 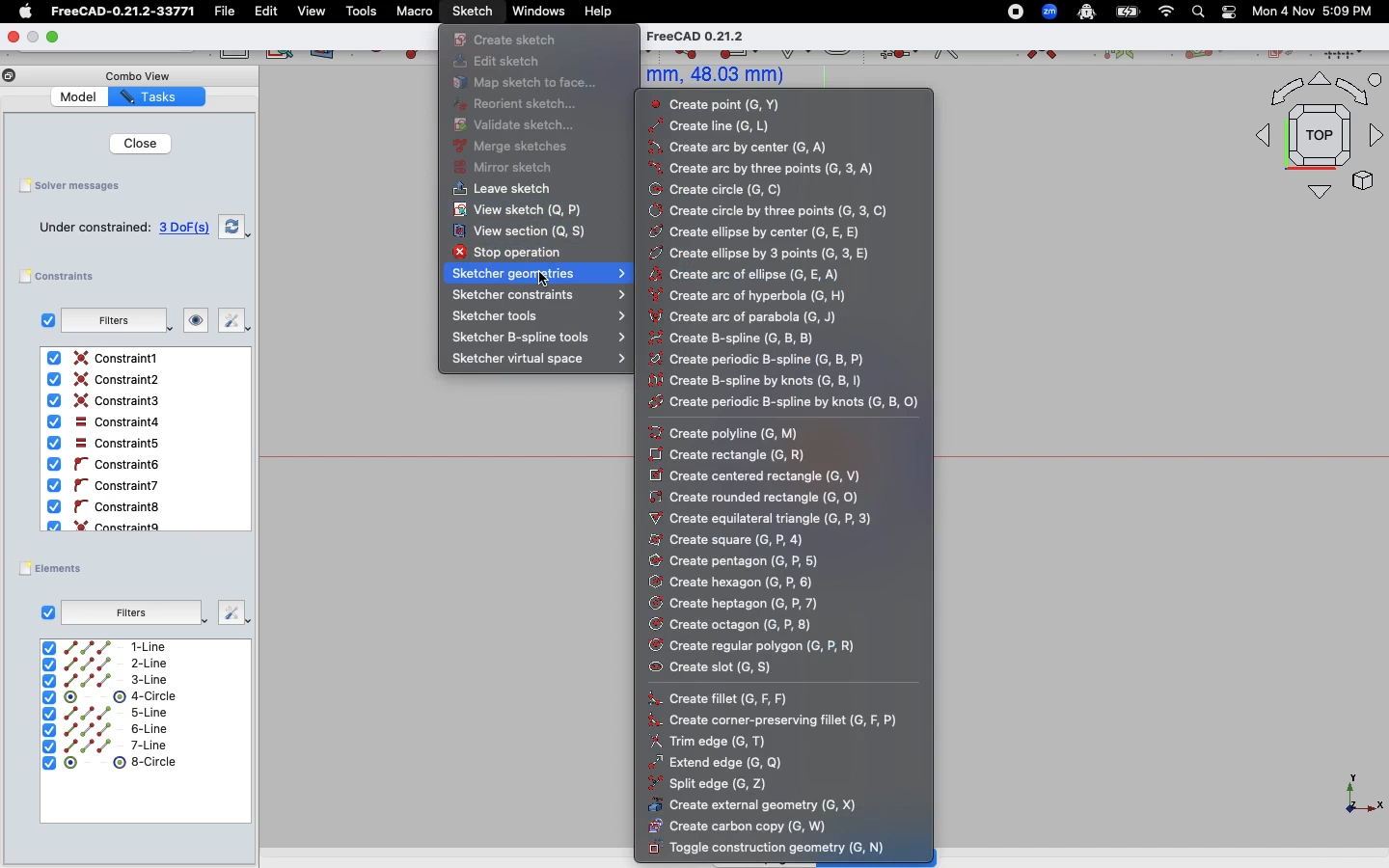 I want to click on Createhexagon (G, P, 6), so click(x=735, y=581).